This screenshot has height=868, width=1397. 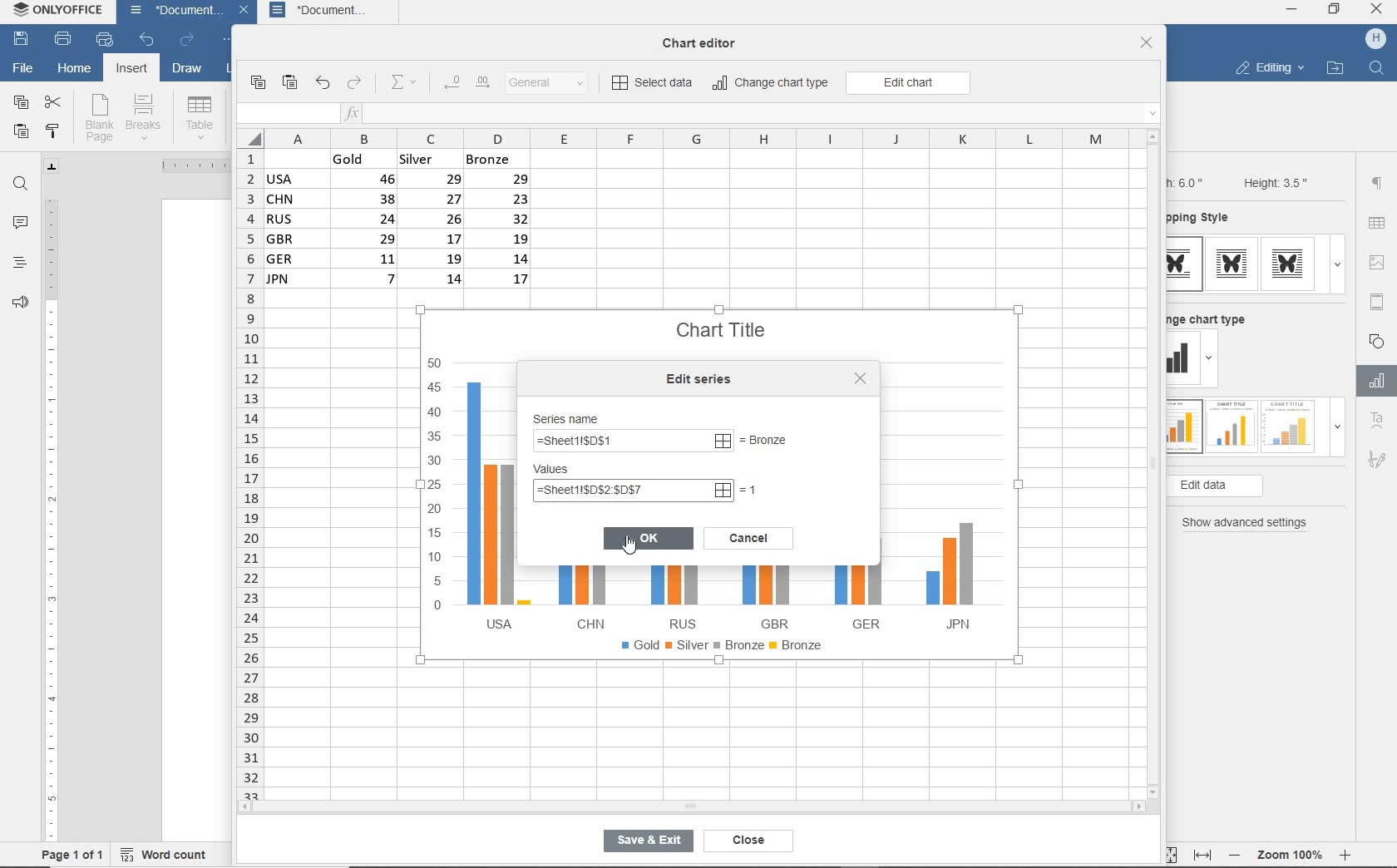 What do you see at coordinates (200, 117) in the screenshot?
I see `table` at bounding box center [200, 117].